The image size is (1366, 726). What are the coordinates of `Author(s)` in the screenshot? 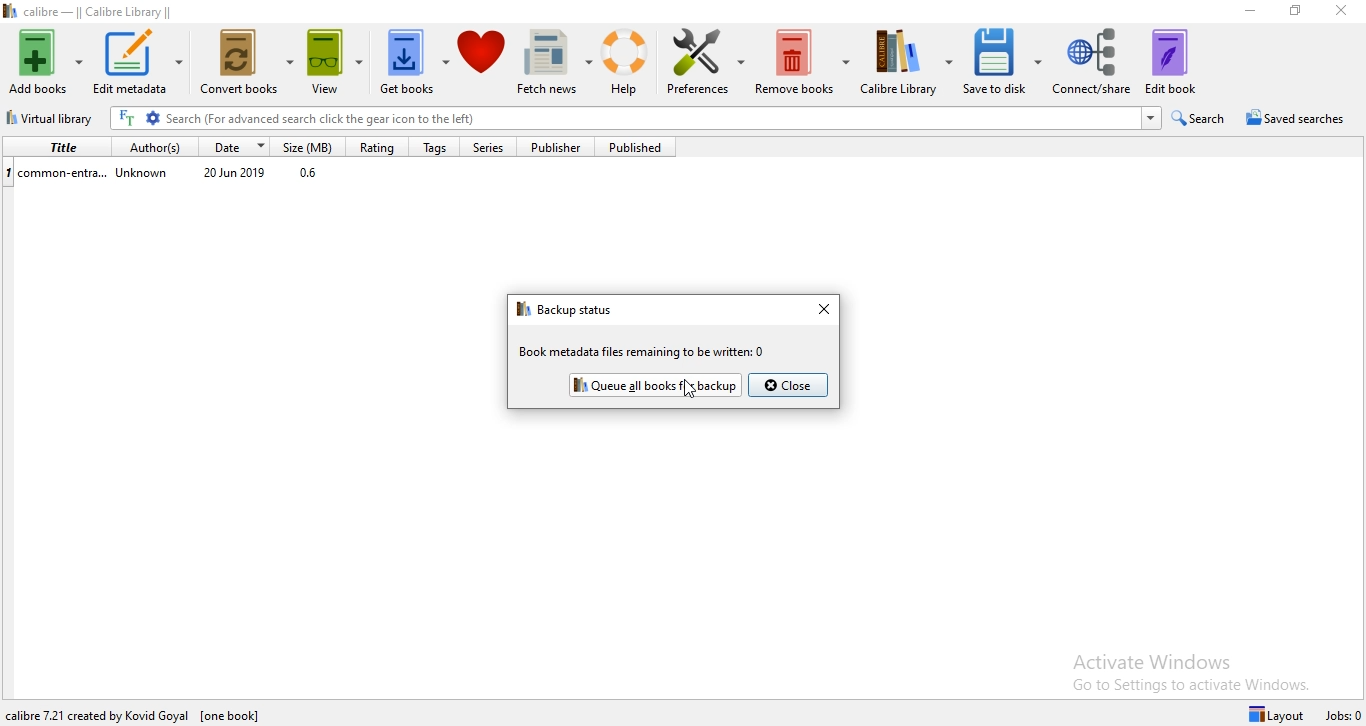 It's located at (150, 146).